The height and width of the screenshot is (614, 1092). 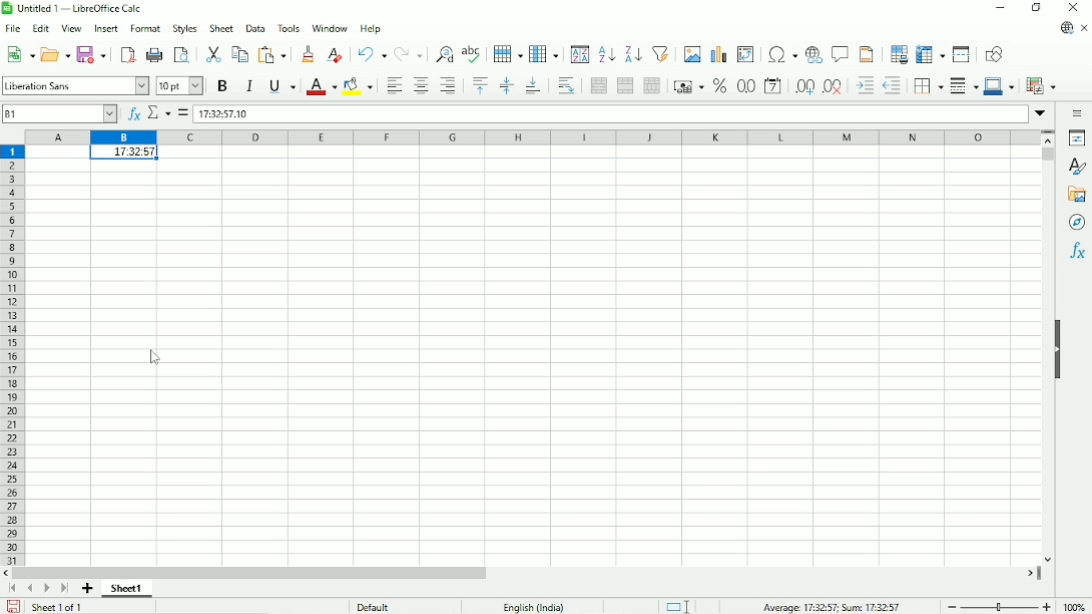 What do you see at coordinates (772, 86) in the screenshot?
I see `Format as date` at bounding box center [772, 86].